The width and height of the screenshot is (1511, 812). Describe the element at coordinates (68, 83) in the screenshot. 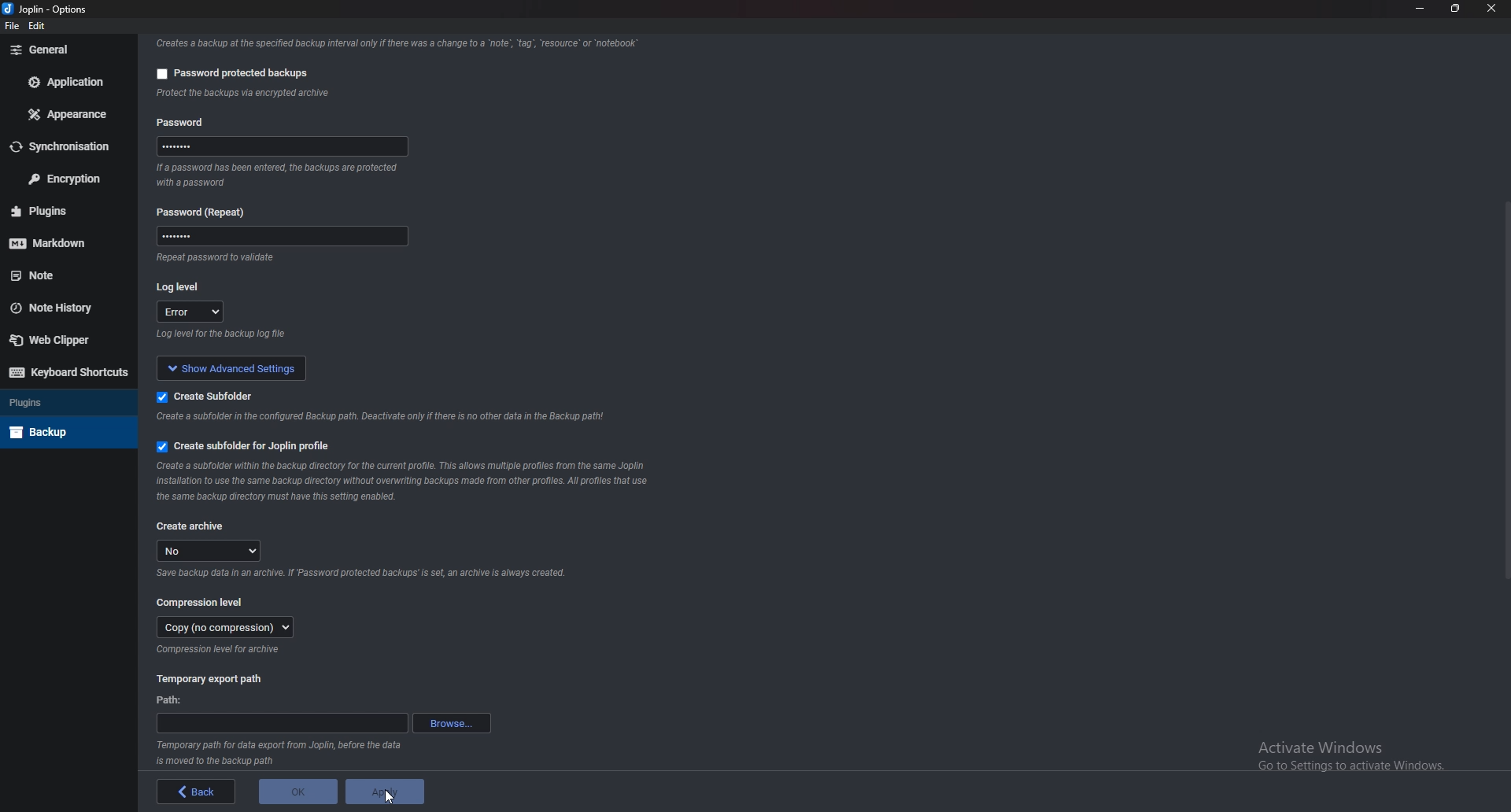

I see `Application` at that location.